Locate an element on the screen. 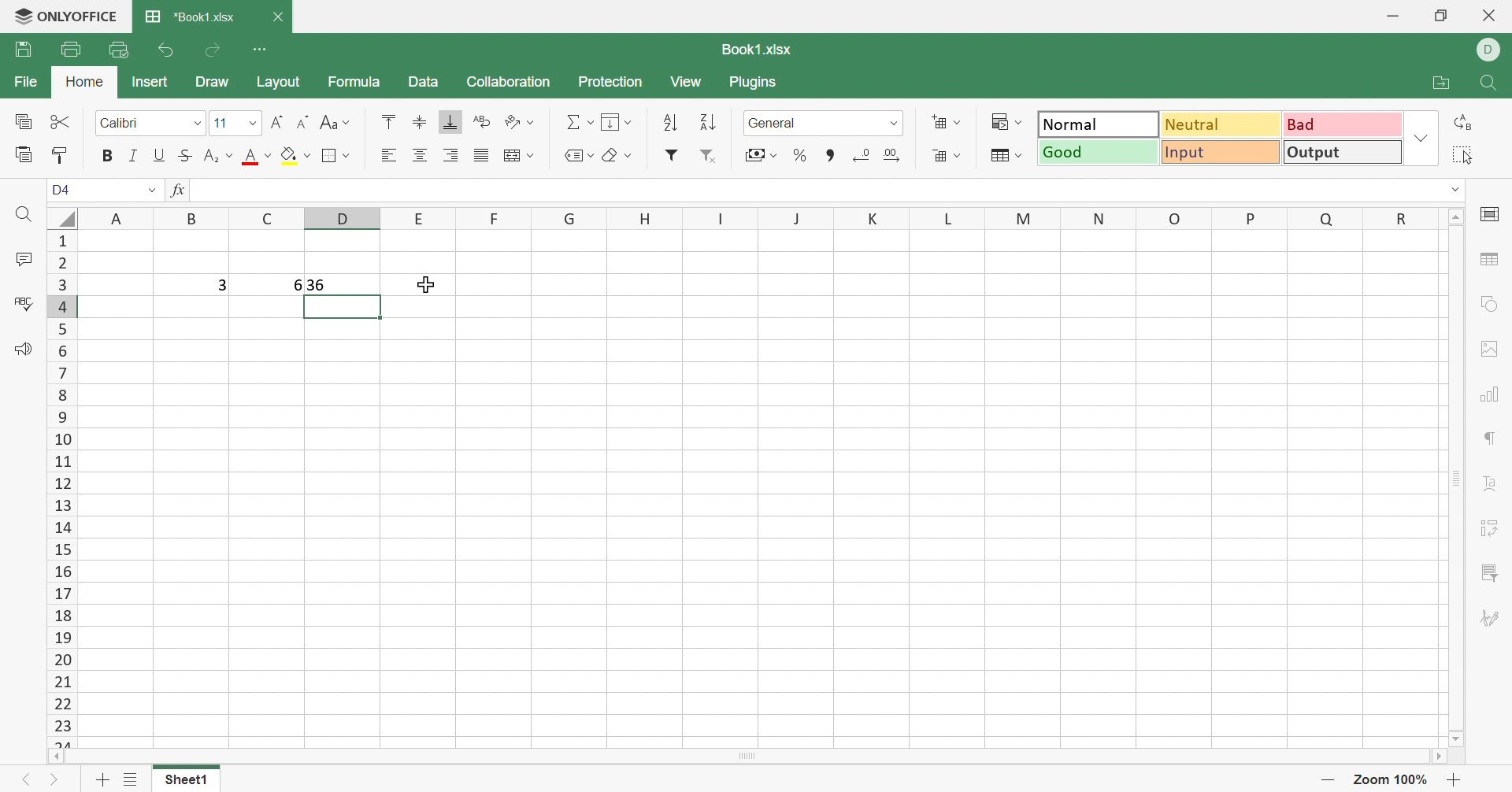  Scroll bar is located at coordinates (746, 757).